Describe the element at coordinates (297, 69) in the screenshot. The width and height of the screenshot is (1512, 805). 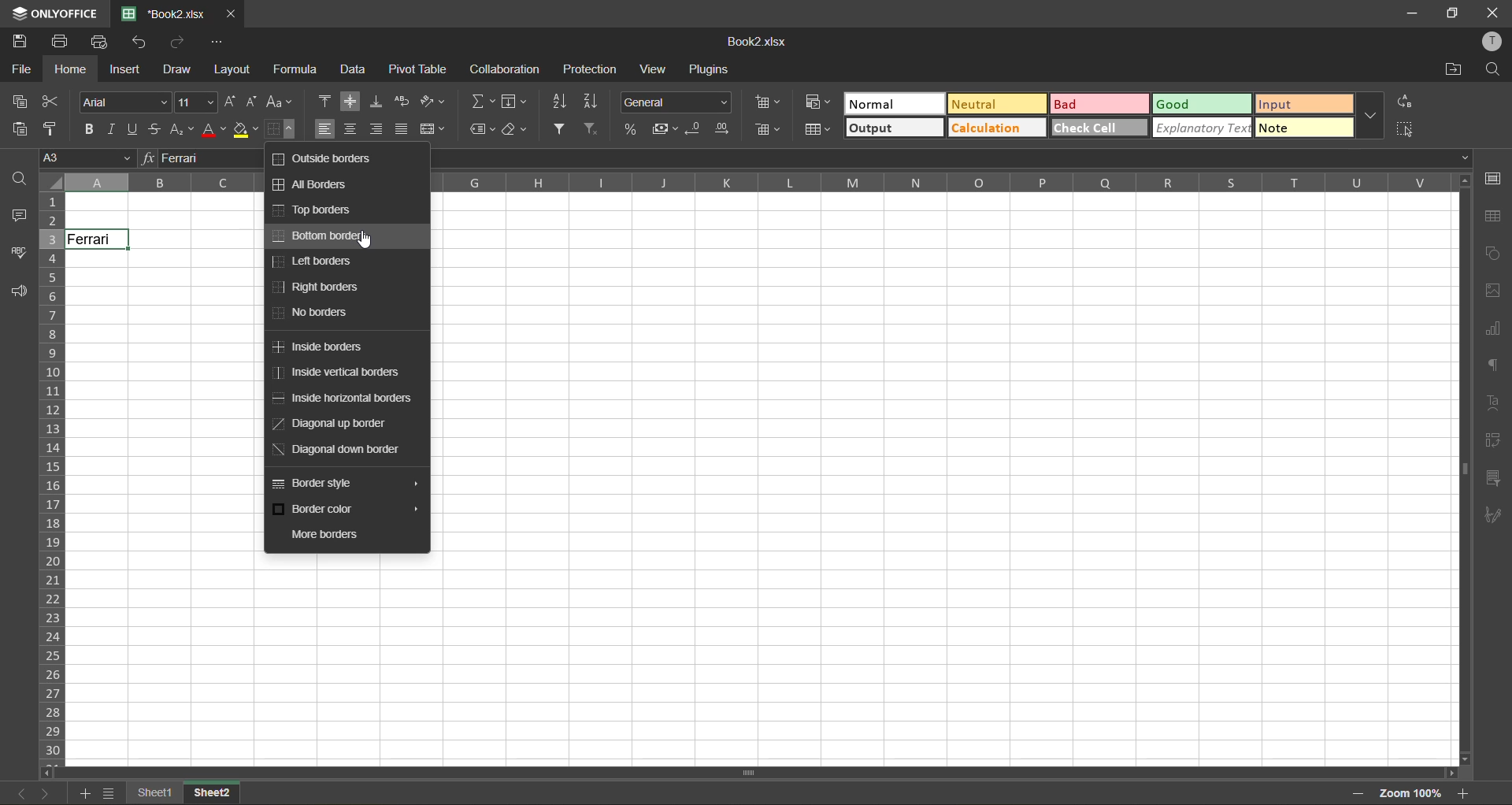
I see `formula` at that location.